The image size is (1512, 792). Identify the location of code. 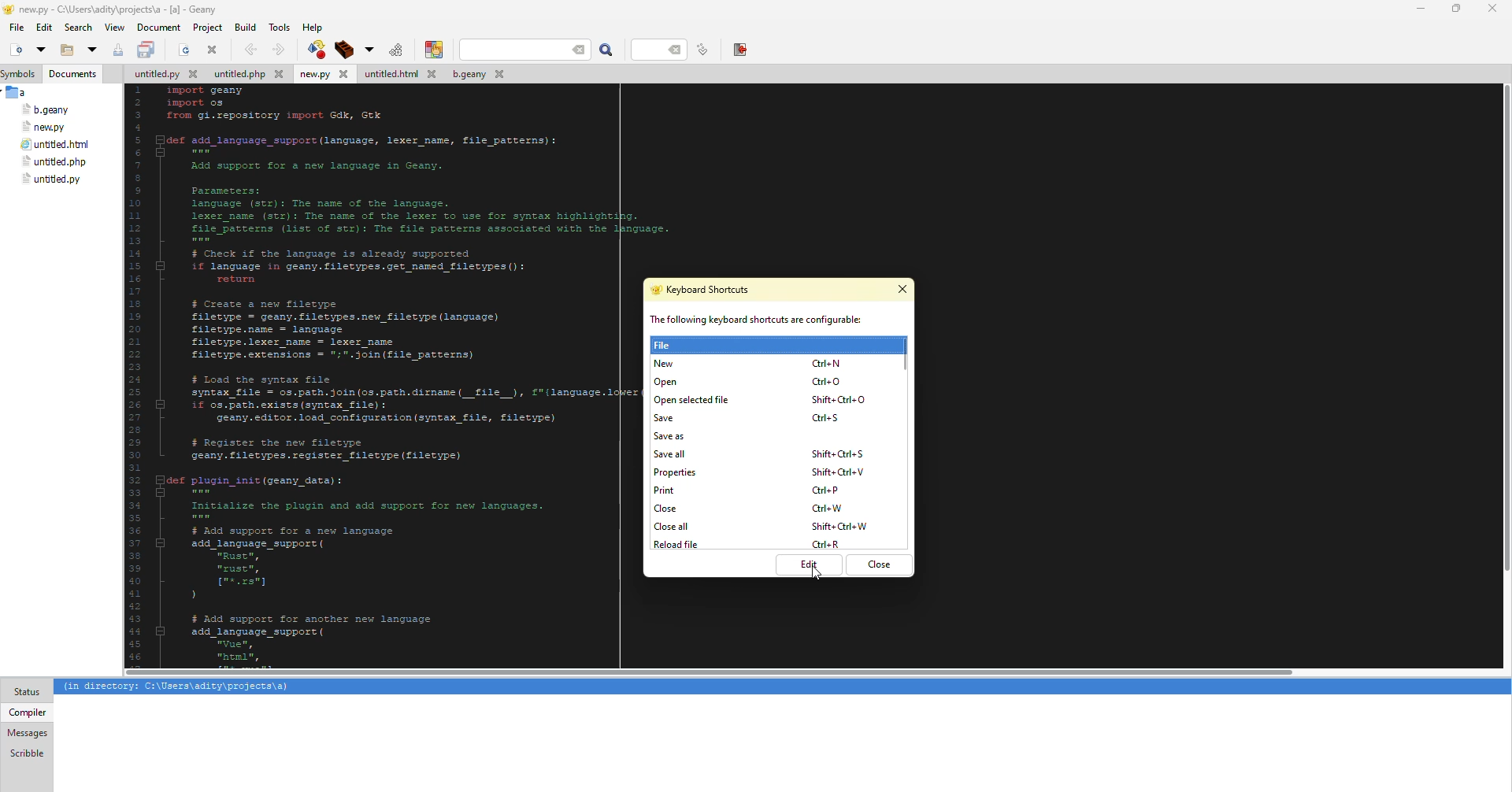
(376, 373).